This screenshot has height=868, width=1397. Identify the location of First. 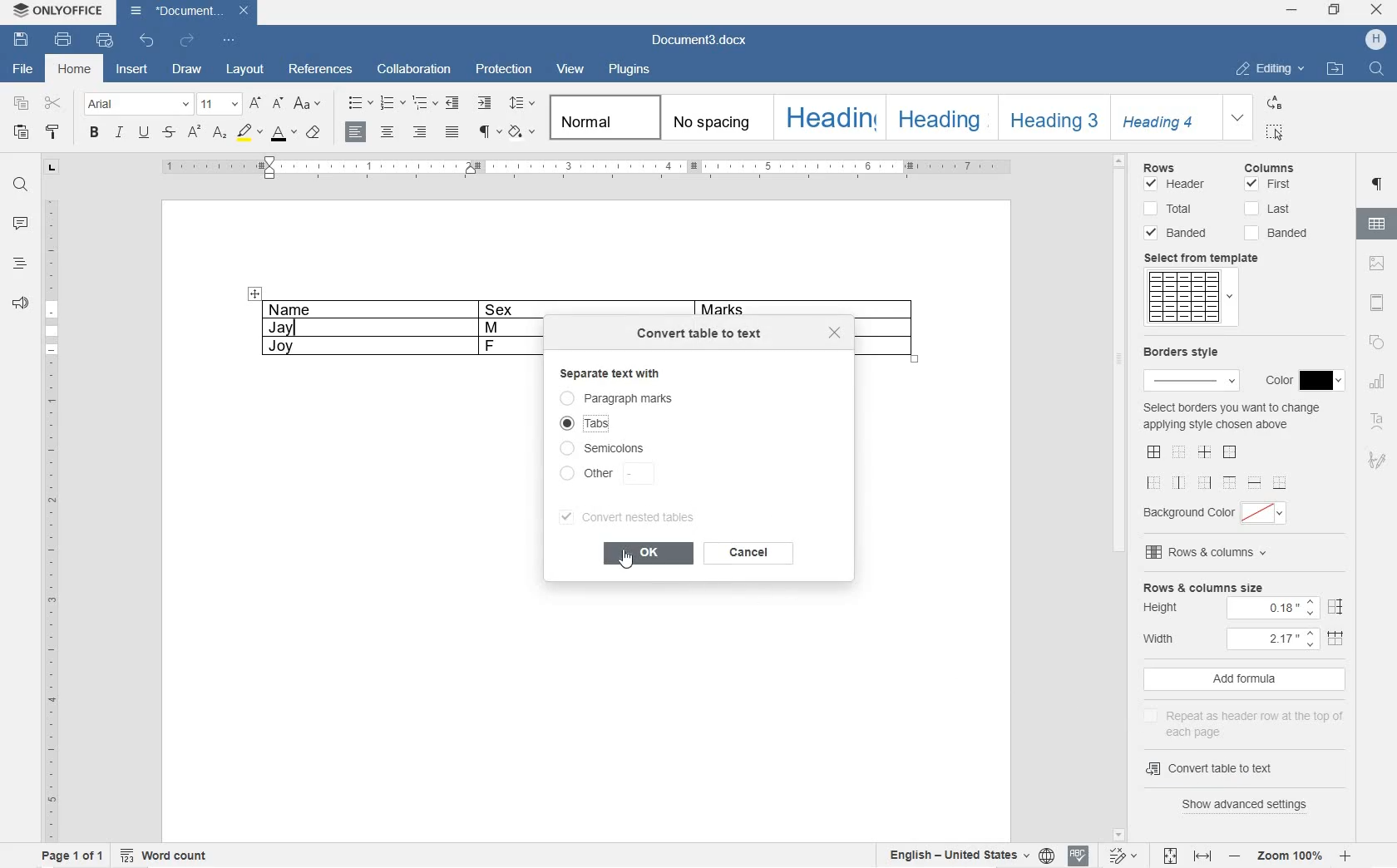
(1269, 185).